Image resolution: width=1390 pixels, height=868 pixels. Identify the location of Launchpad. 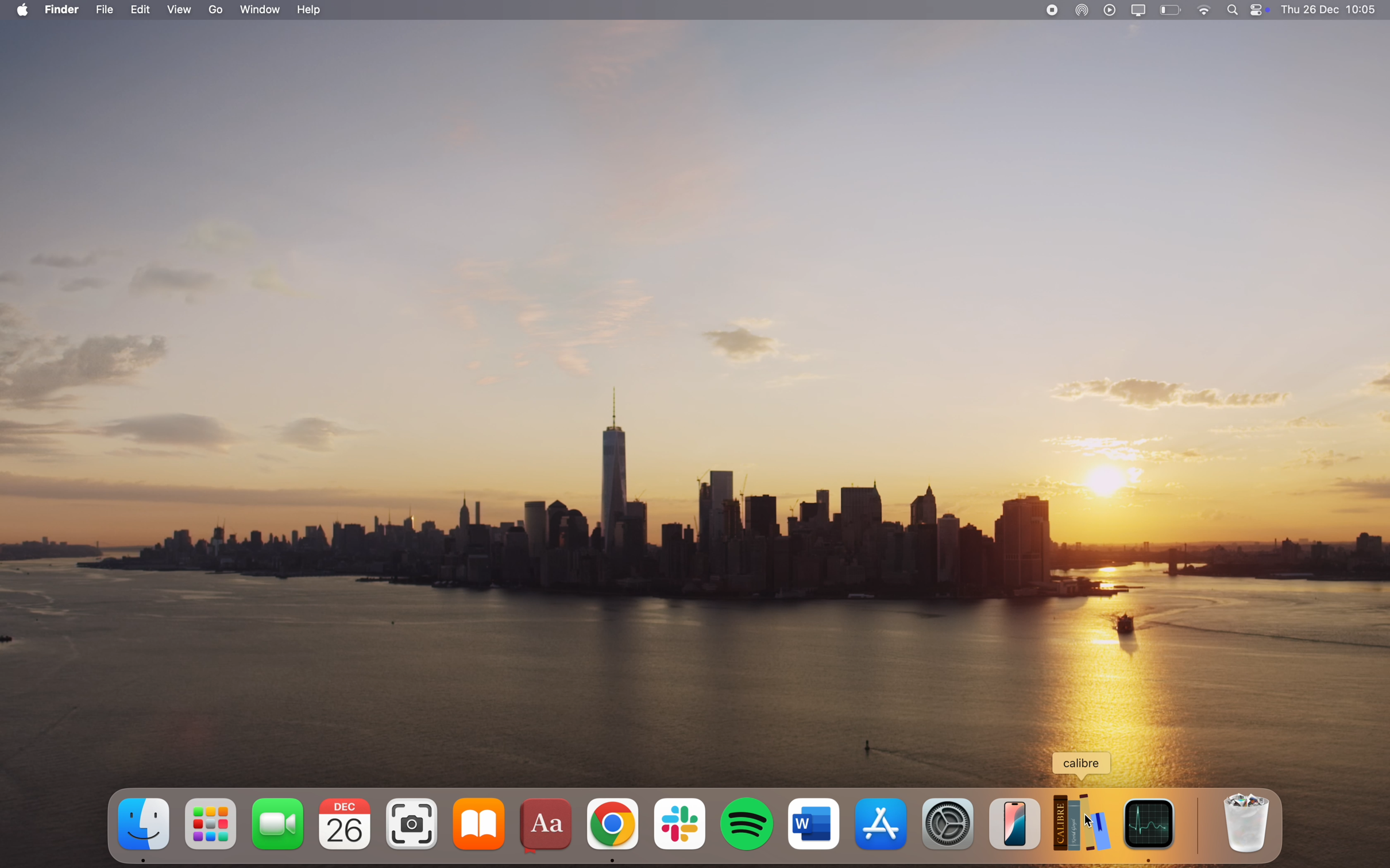
(210, 820).